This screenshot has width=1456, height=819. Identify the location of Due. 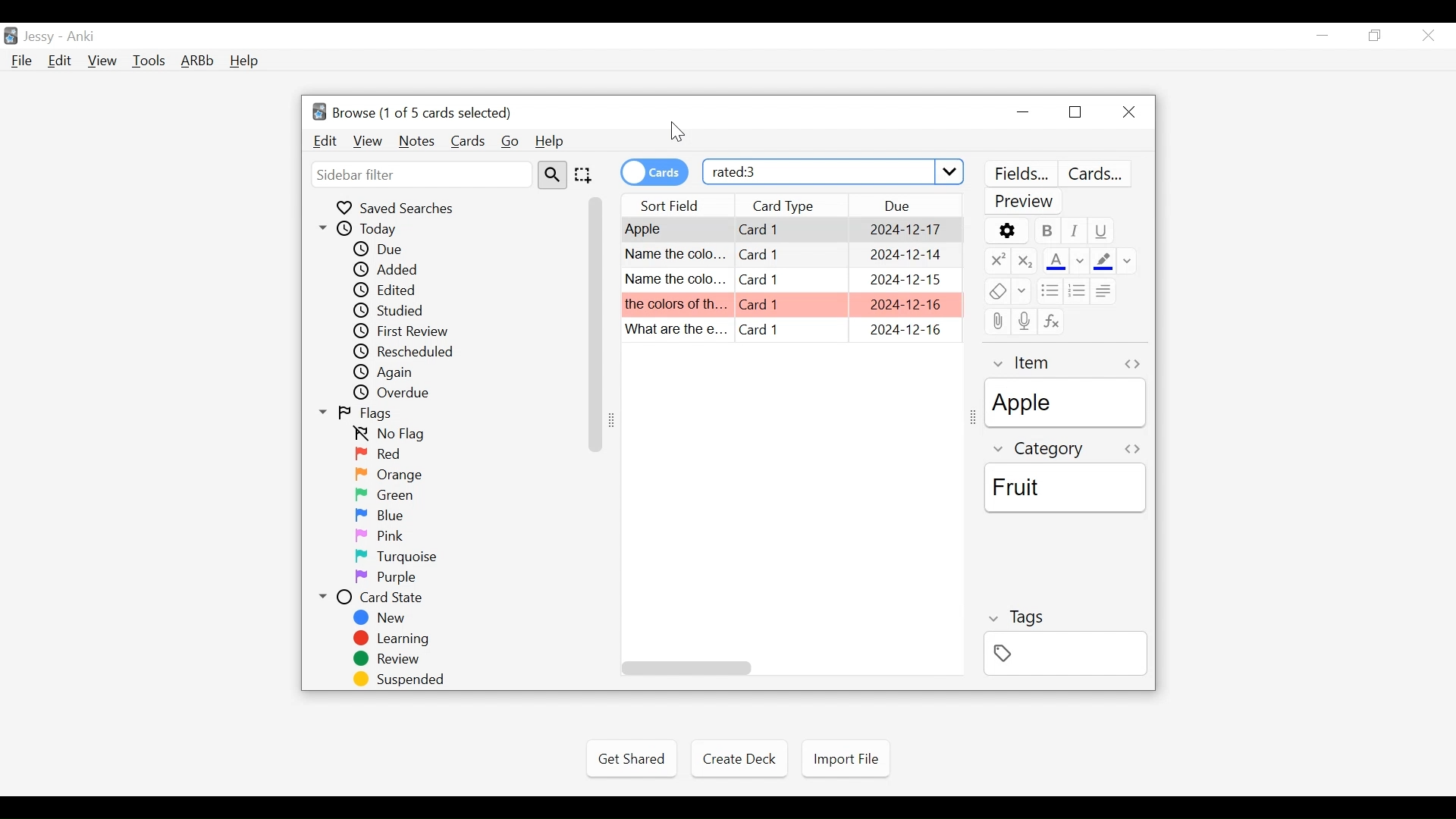
(912, 206).